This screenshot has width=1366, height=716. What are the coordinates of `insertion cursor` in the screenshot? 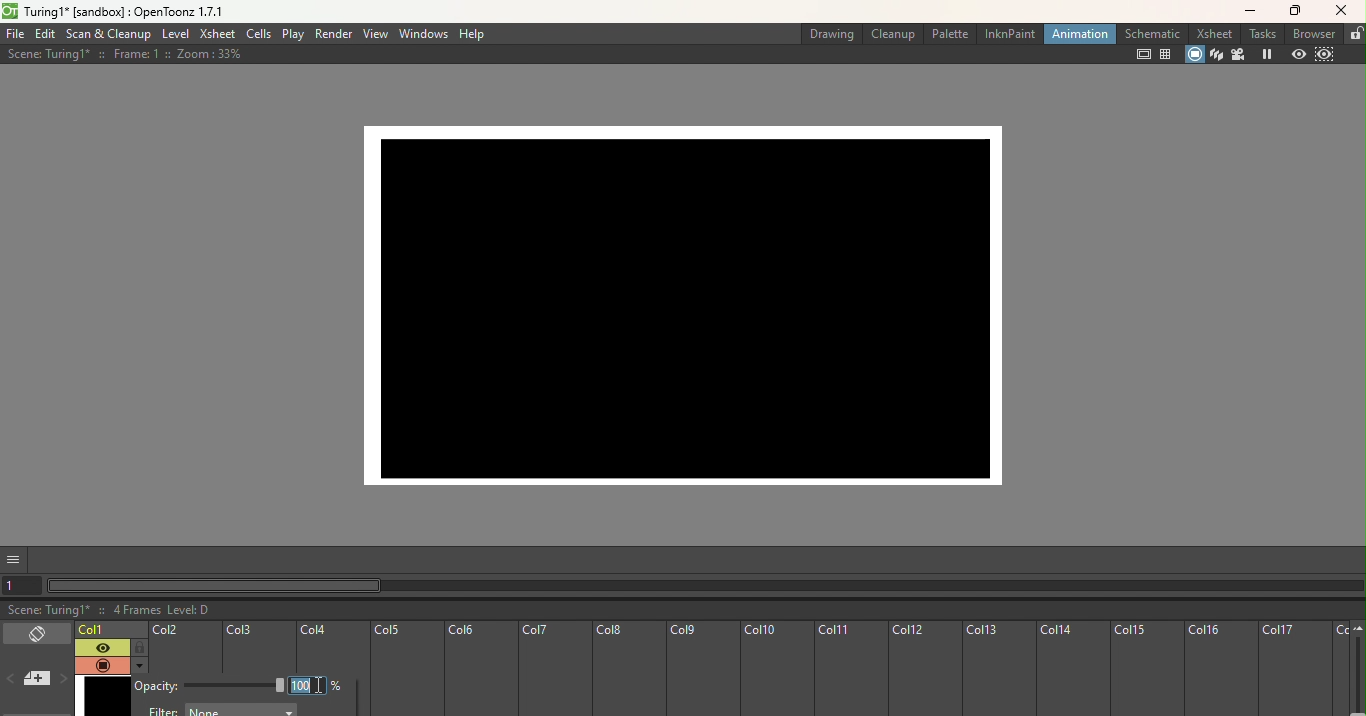 It's located at (321, 687).